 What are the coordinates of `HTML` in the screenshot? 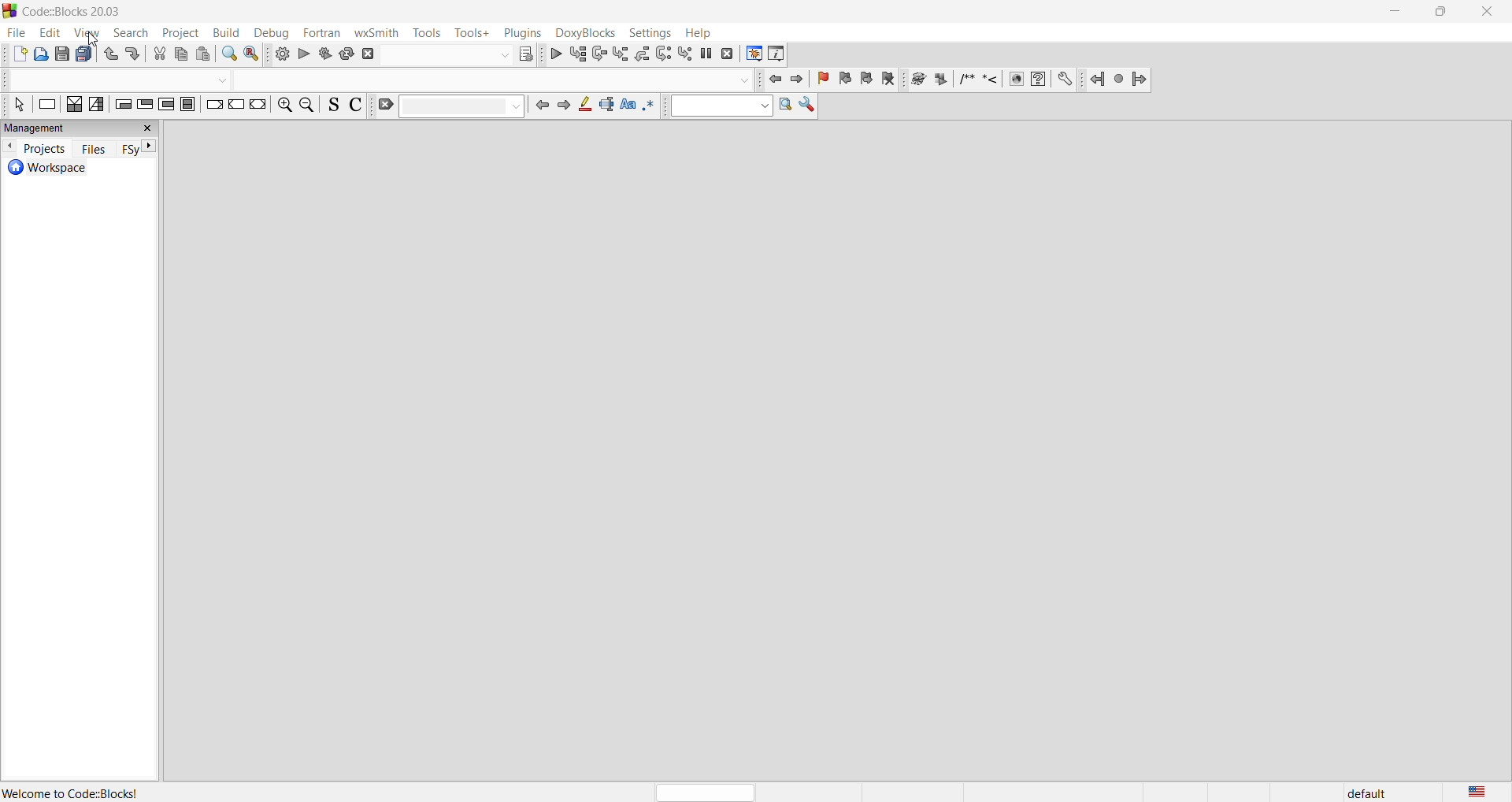 It's located at (1015, 80).